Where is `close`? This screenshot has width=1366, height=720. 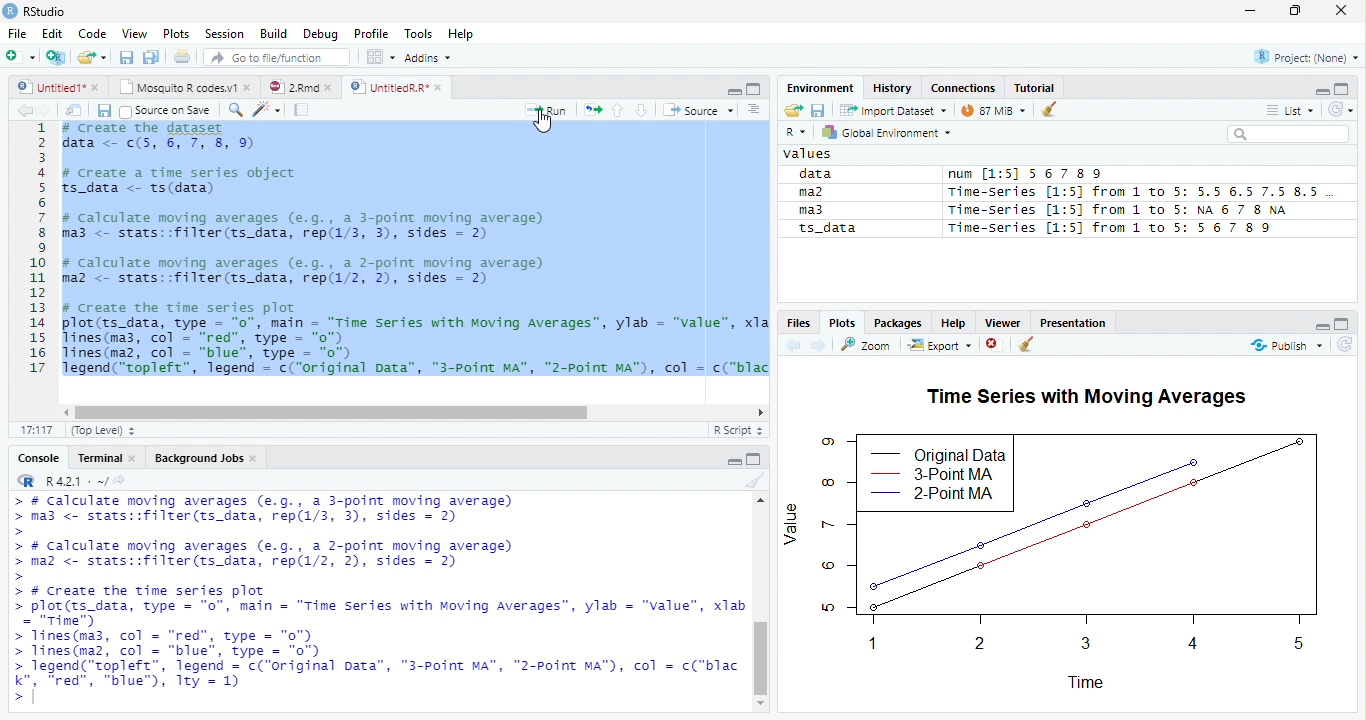 close is located at coordinates (1340, 11).